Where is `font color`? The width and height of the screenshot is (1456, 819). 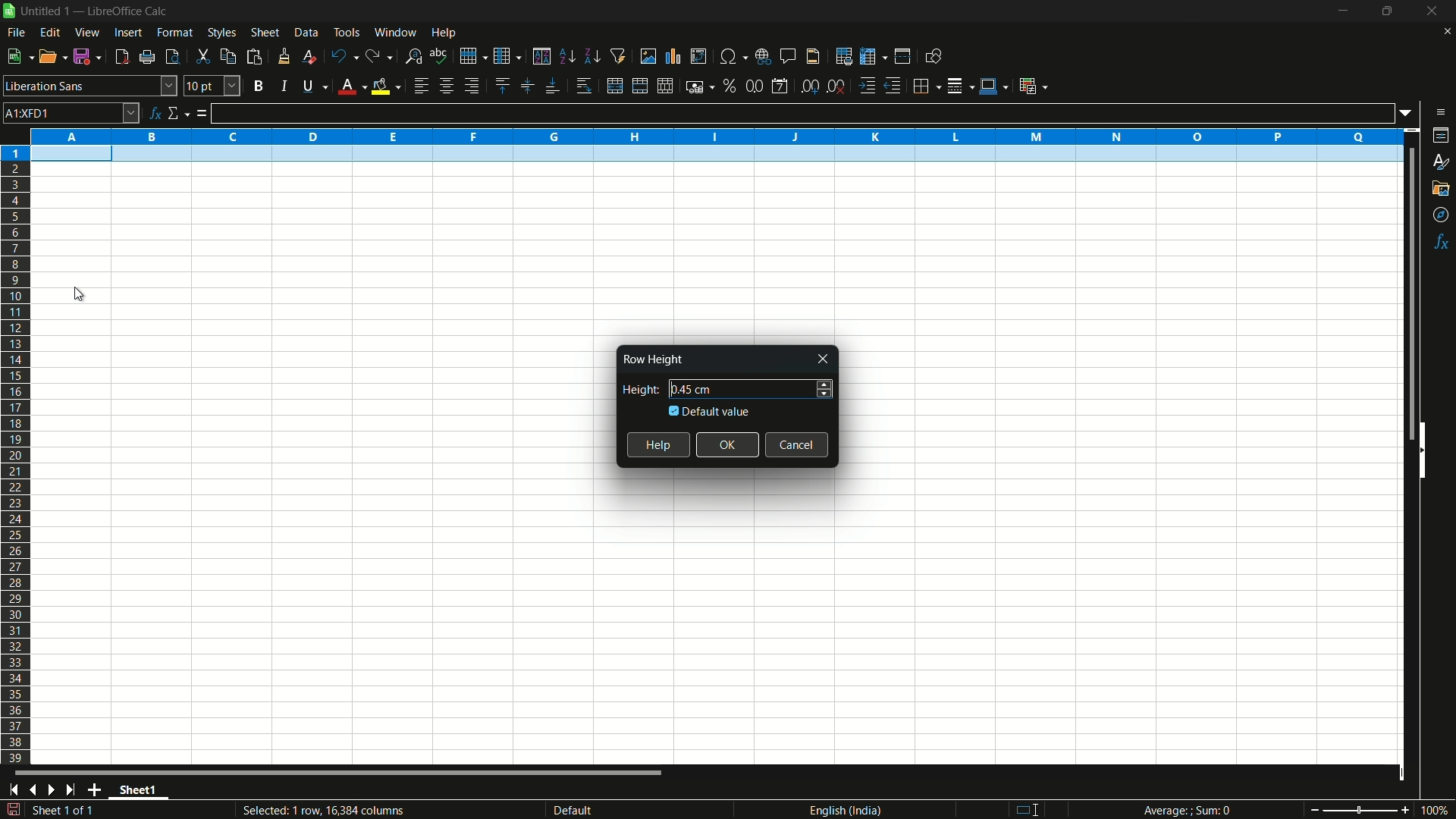
font color is located at coordinates (350, 87).